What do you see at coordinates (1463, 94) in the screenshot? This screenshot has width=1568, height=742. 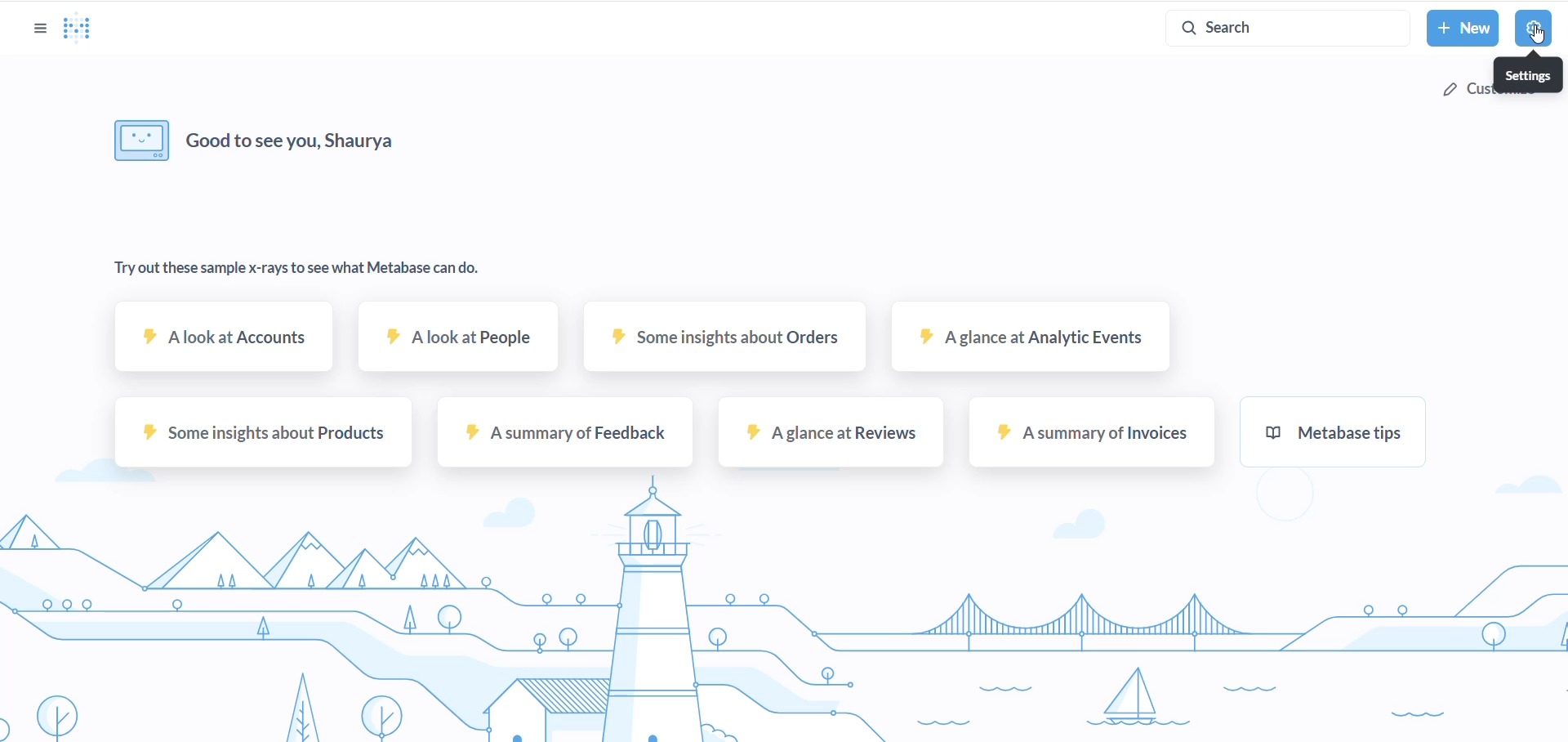 I see `customize button` at bounding box center [1463, 94].